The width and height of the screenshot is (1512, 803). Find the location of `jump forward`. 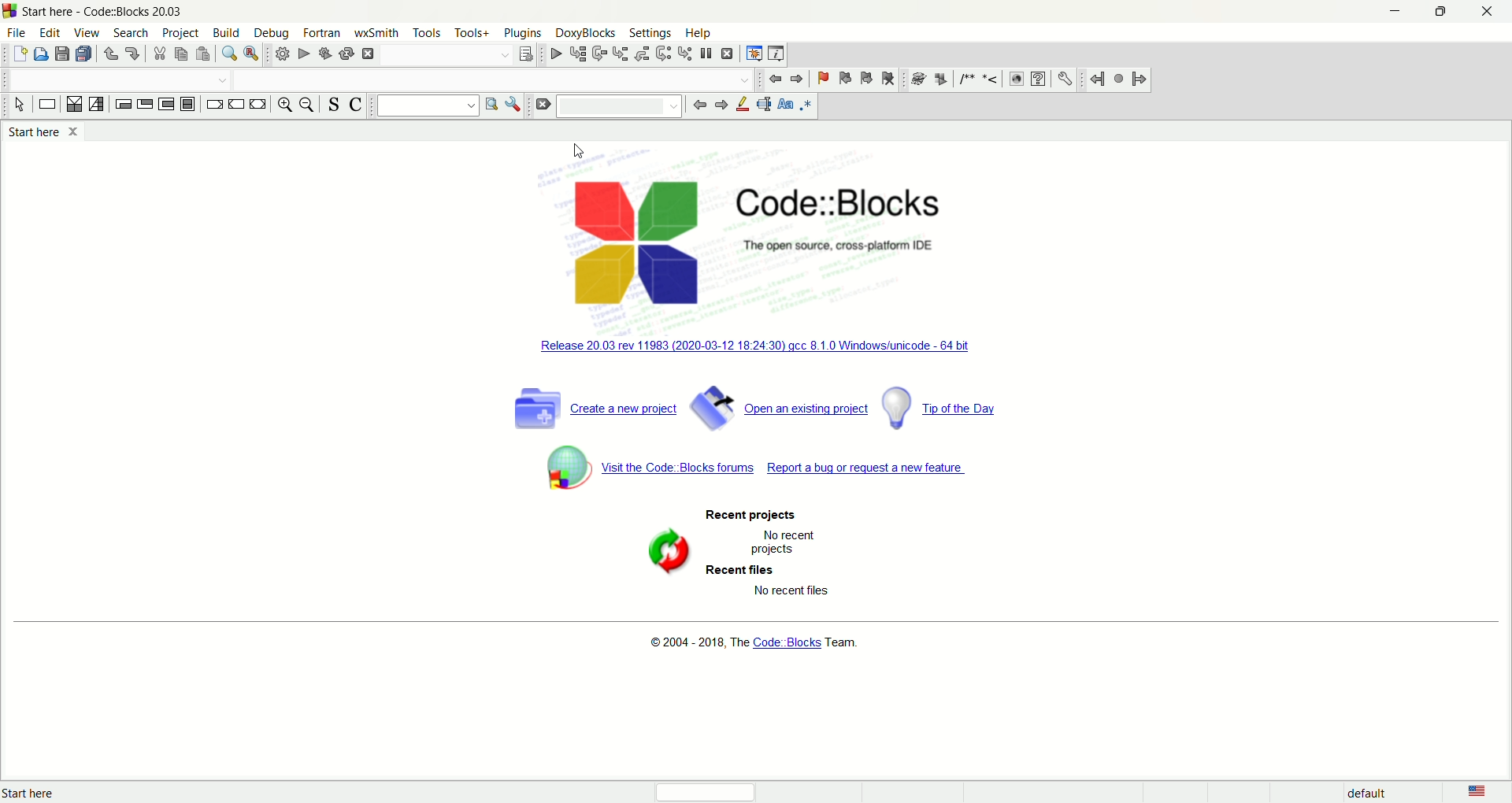

jump forward is located at coordinates (795, 78).